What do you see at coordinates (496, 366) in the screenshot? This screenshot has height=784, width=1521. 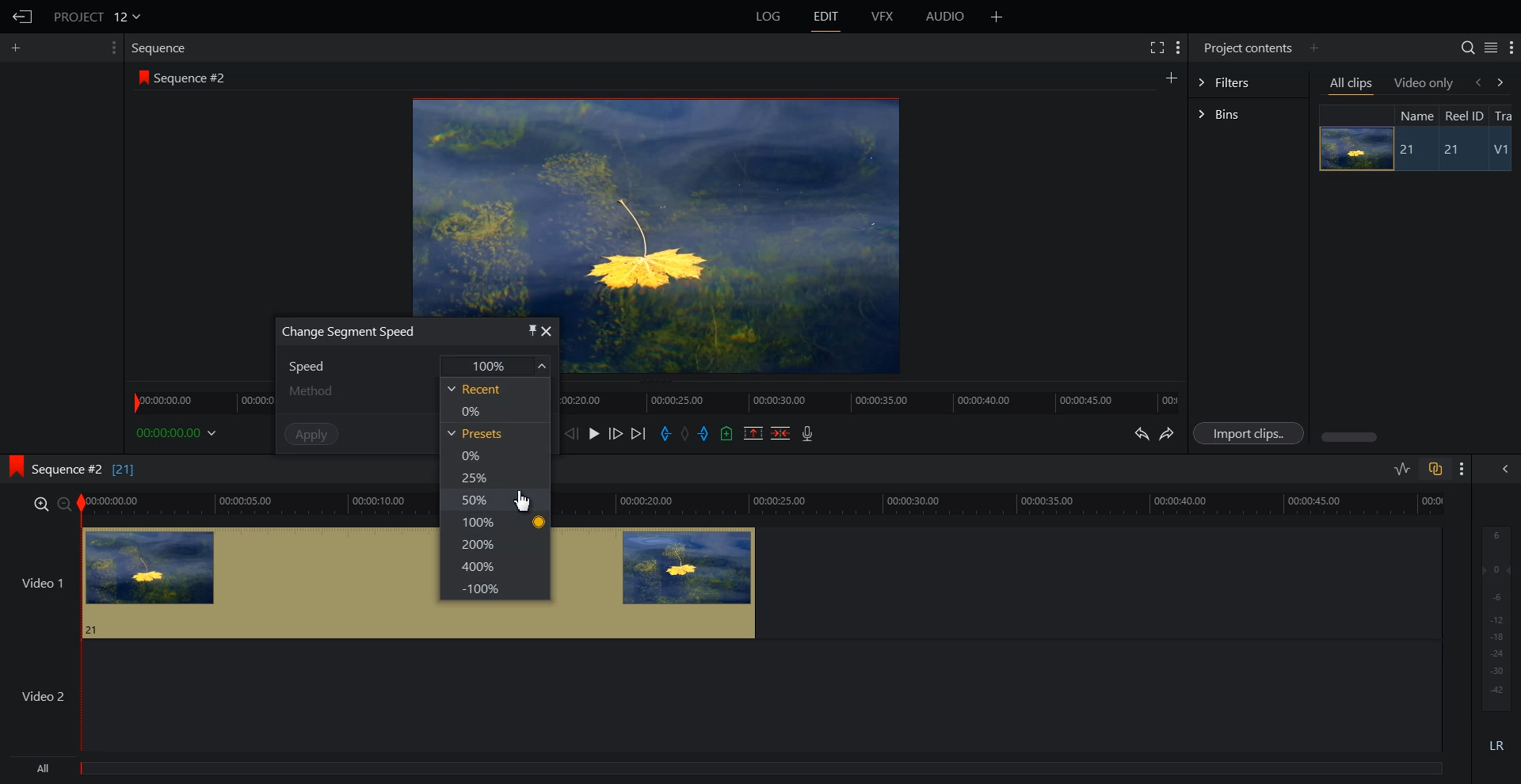 I see `100%` at bounding box center [496, 366].